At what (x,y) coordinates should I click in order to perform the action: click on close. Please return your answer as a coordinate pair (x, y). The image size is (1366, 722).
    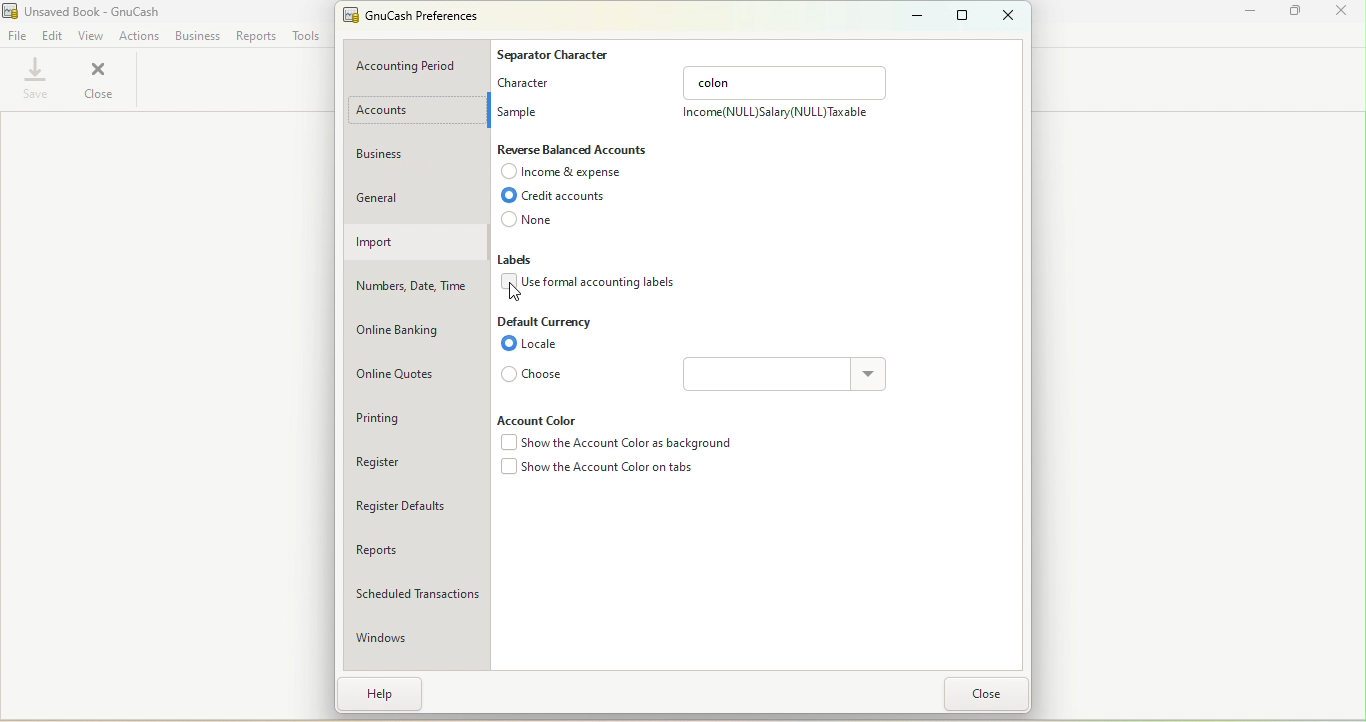
    Looking at the image, I should click on (1340, 11).